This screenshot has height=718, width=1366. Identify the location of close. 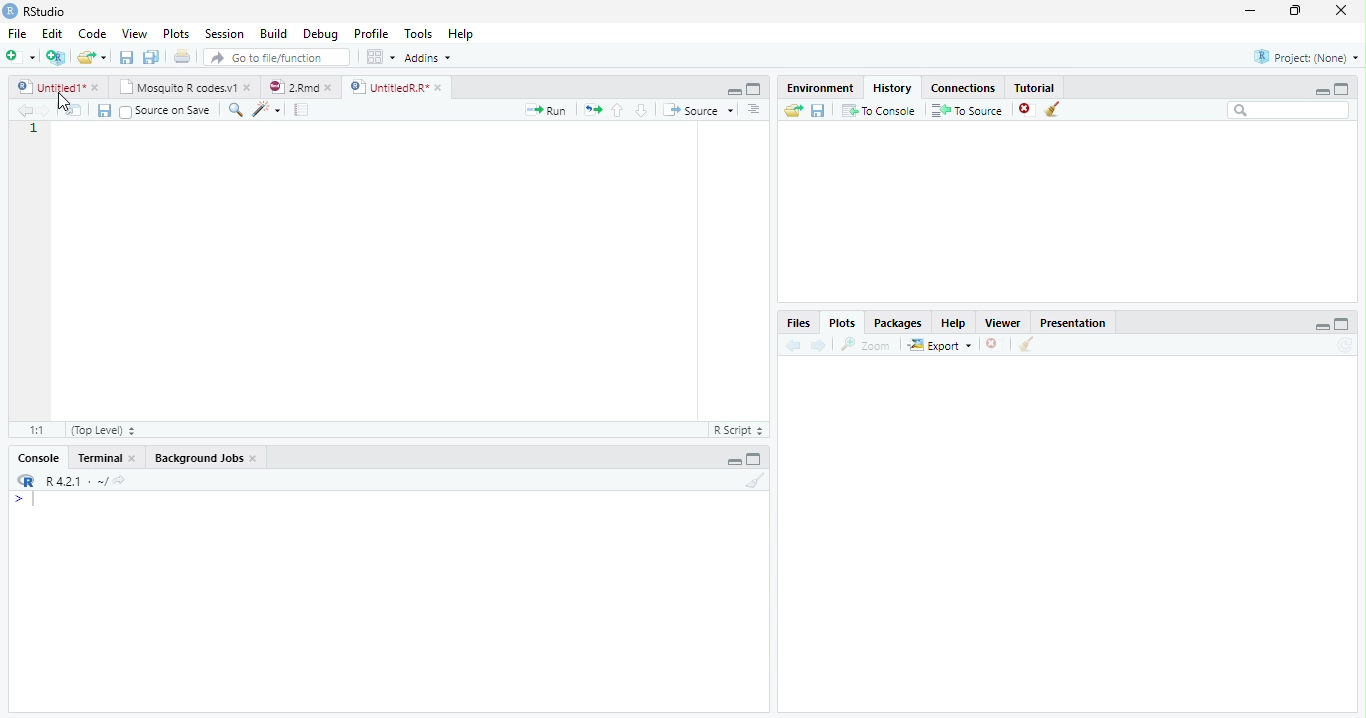
(328, 88).